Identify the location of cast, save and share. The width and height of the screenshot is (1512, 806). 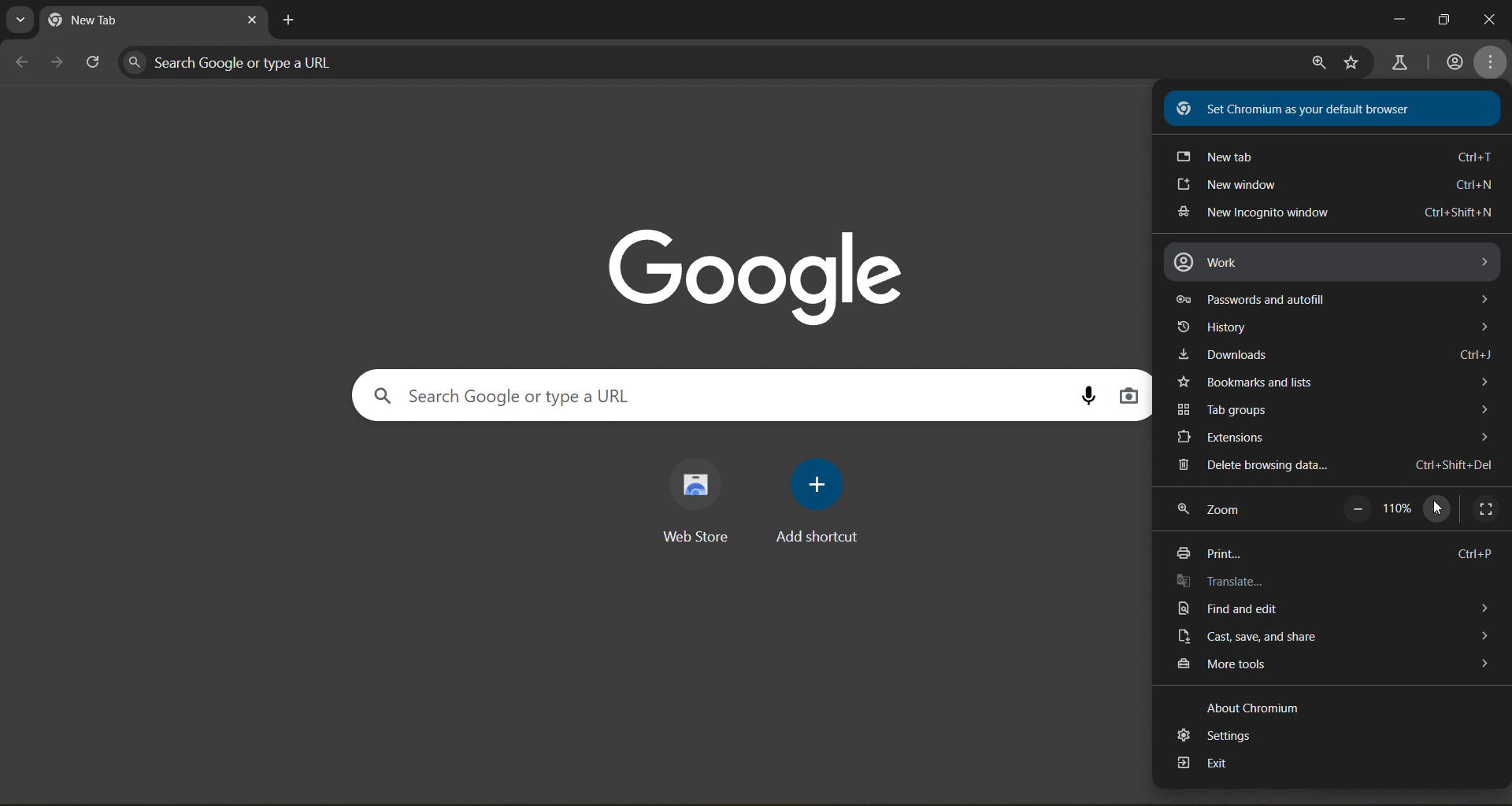
(1333, 635).